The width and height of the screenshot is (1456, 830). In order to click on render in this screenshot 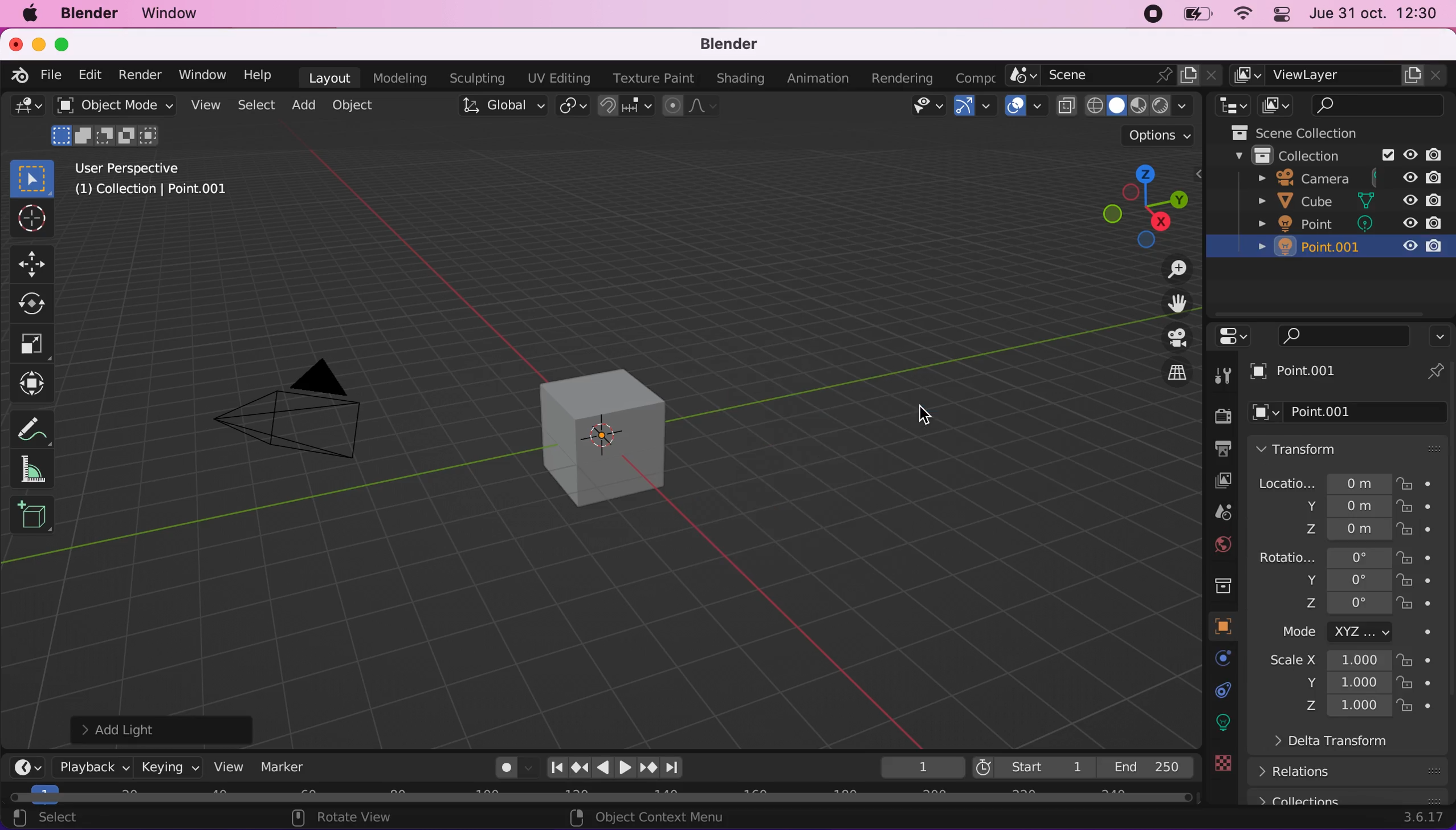, I will do `click(141, 76)`.